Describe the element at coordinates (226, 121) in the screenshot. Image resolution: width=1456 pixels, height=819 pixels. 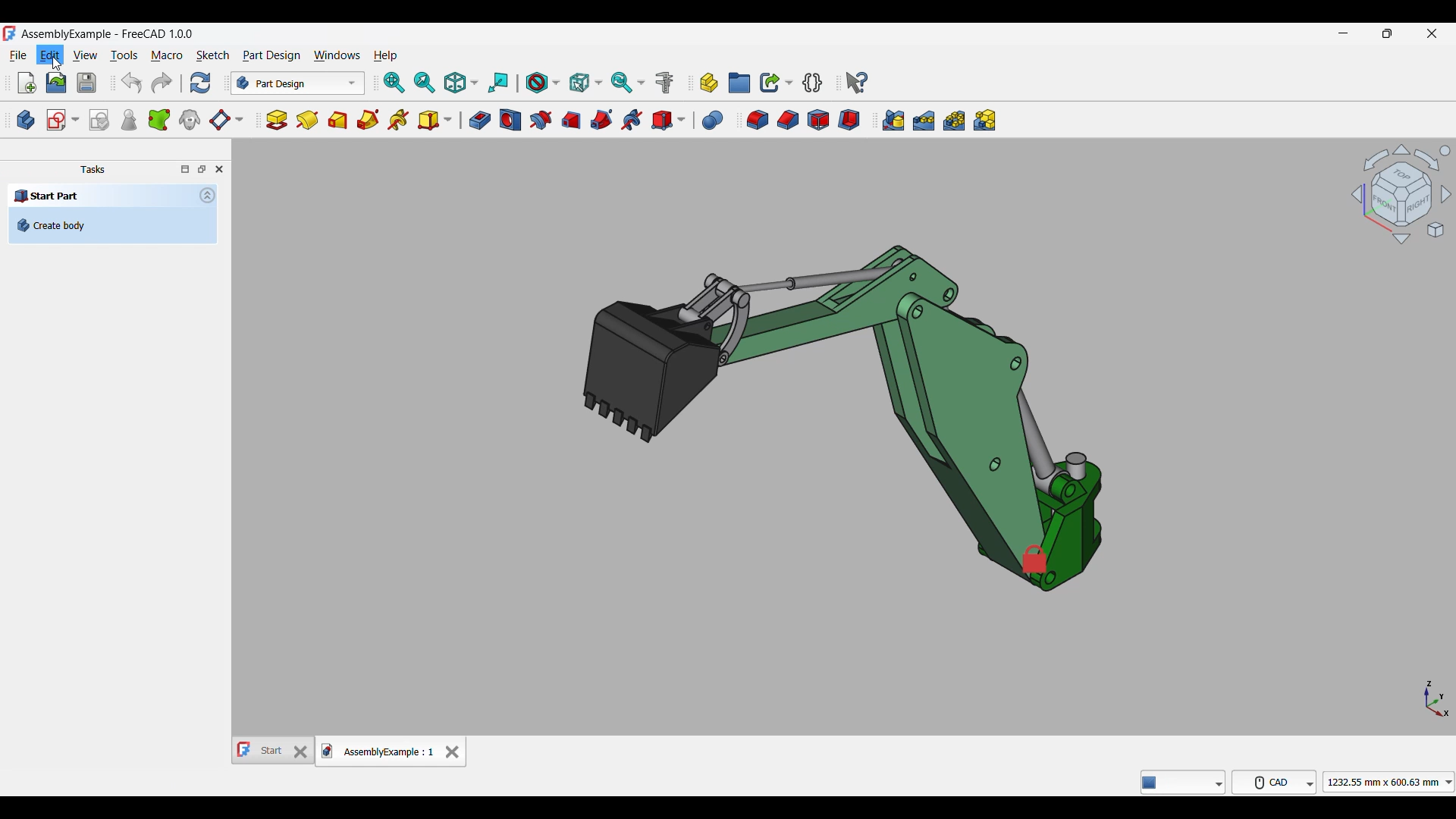
I see `Create a datum plane` at that location.